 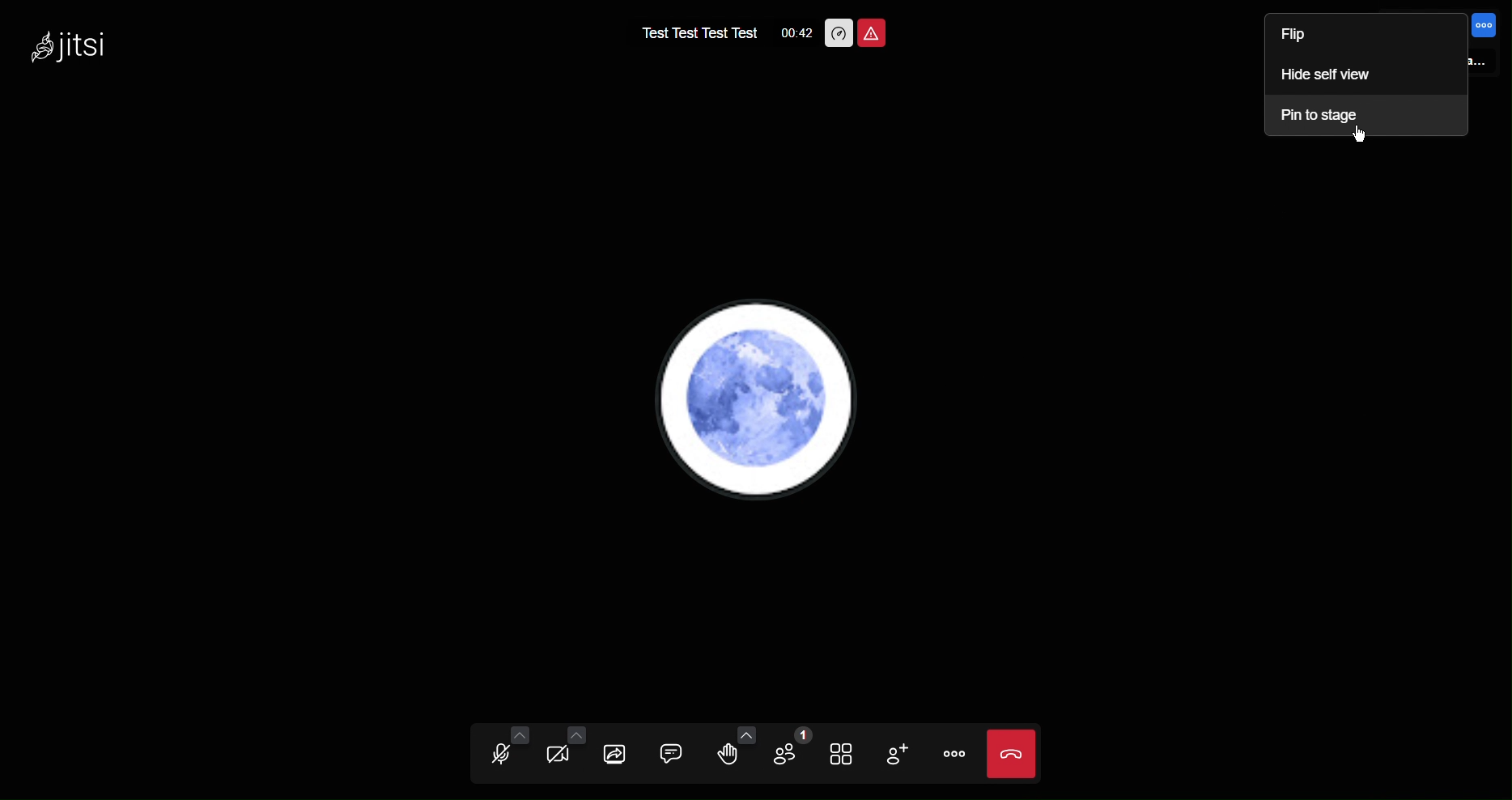 What do you see at coordinates (765, 400) in the screenshot?
I see `Account PFP` at bounding box center [765, 400].